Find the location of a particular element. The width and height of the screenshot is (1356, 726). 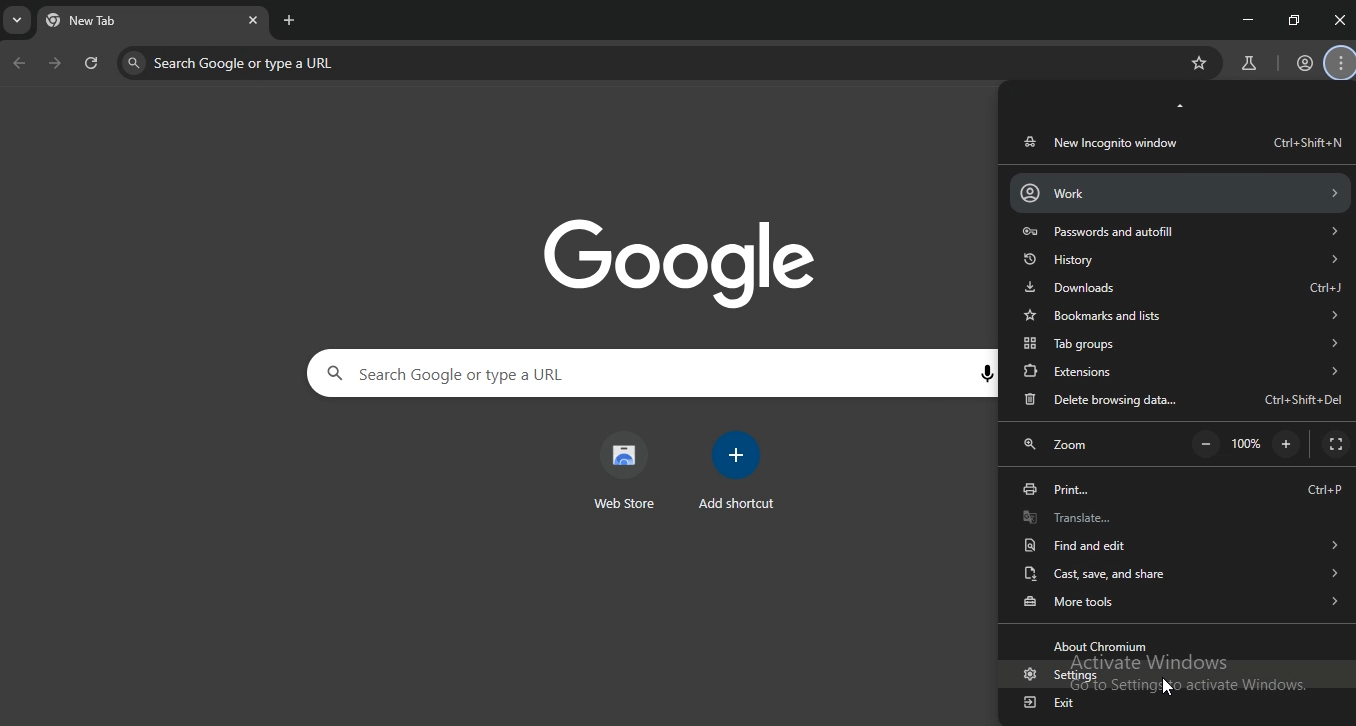

translate is located at coordinates (1177, 516).